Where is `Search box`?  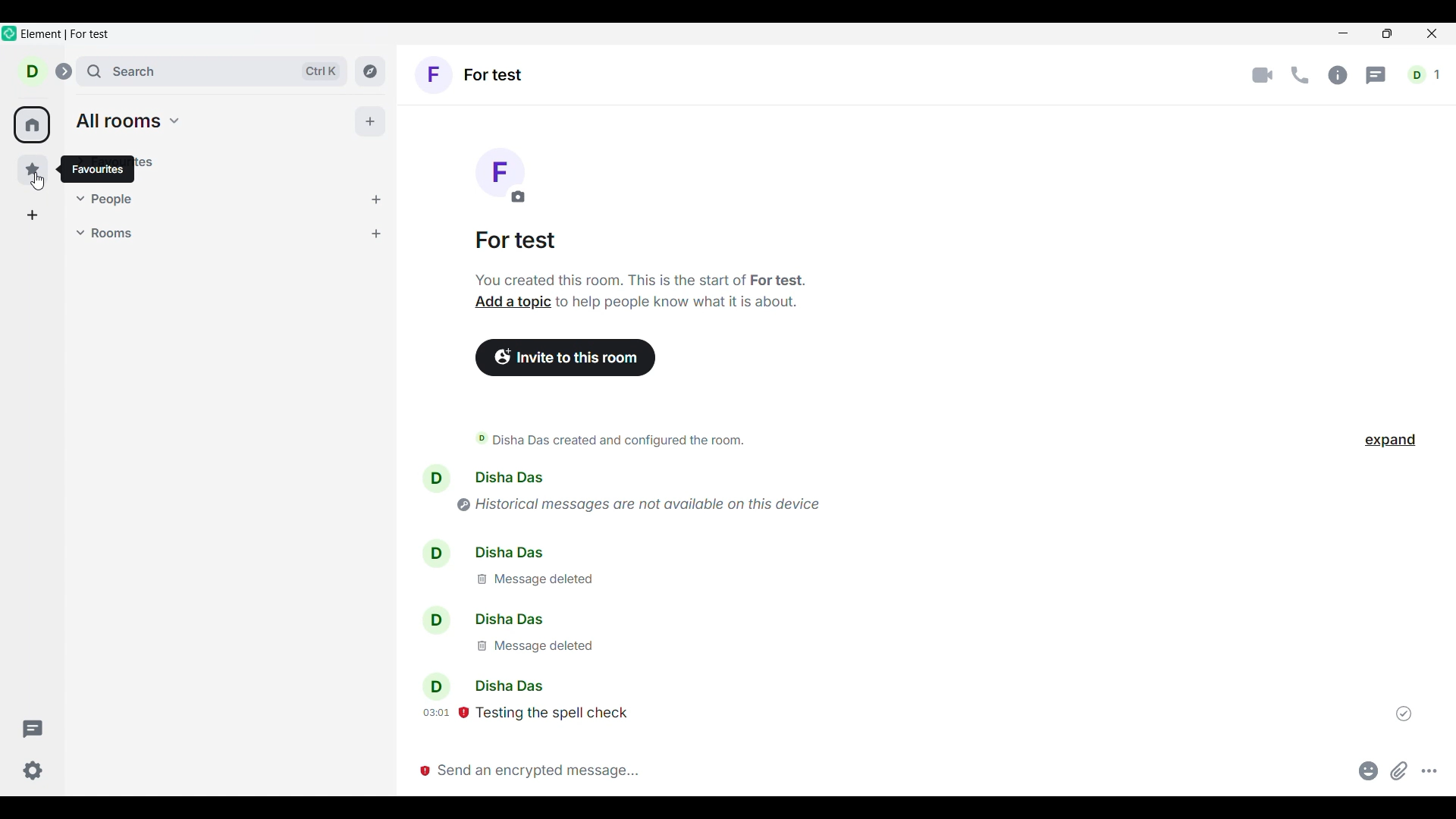
Search box is located at coordinates (210, 71).